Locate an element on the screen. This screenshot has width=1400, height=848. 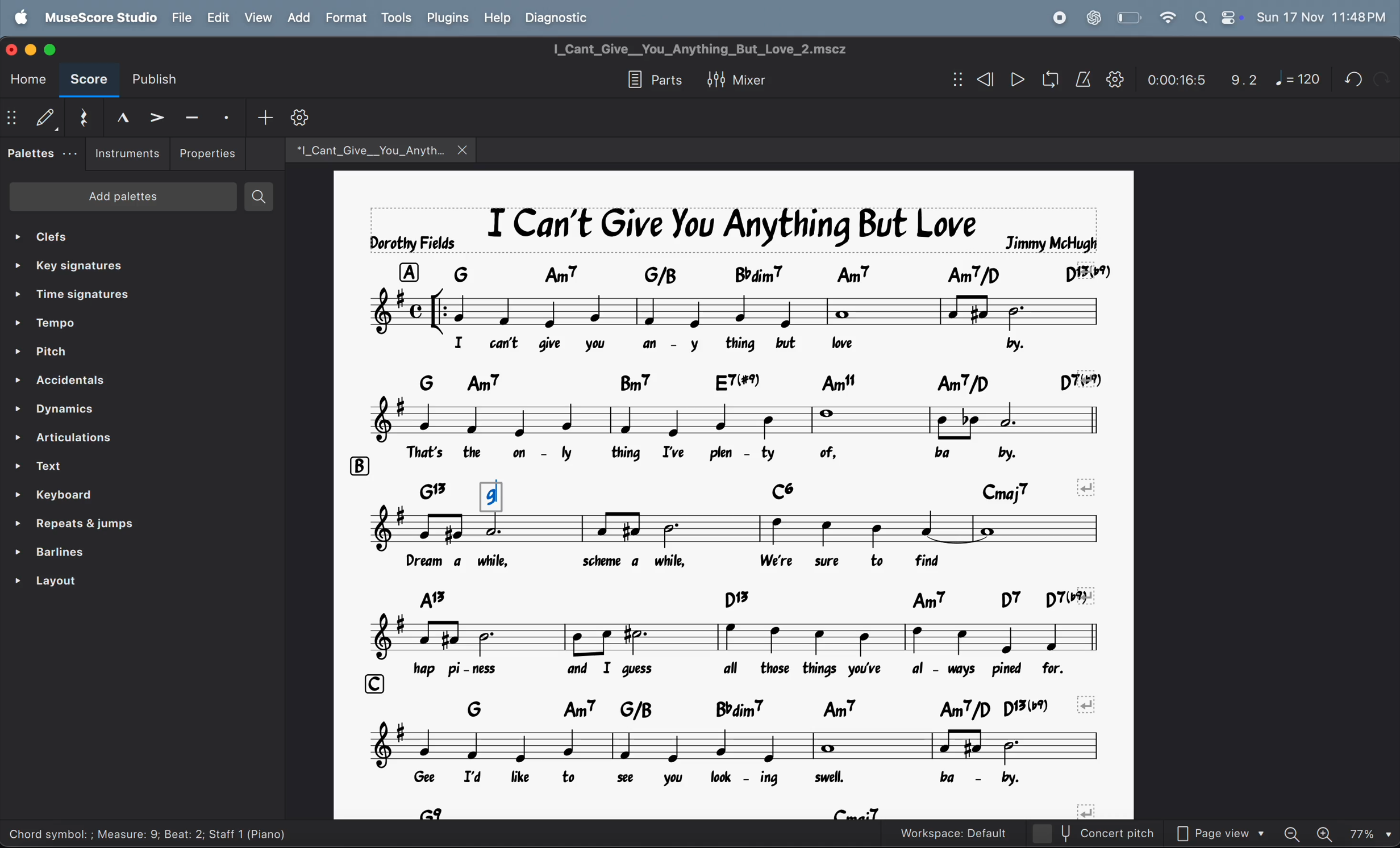
key note is located at coordinates (747, 272).